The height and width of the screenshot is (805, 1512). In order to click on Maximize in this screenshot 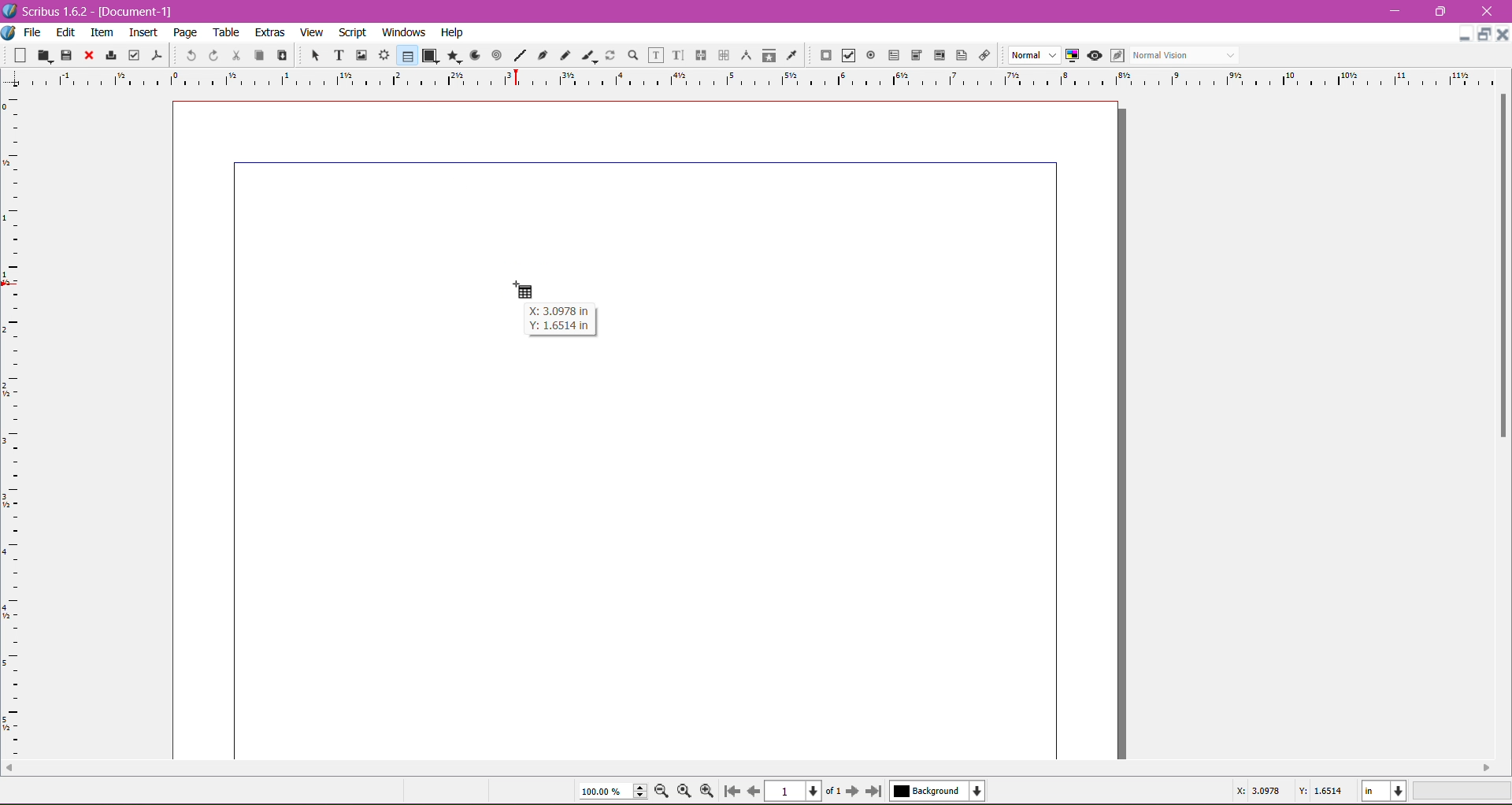, I will do `click(1485, 35)`.